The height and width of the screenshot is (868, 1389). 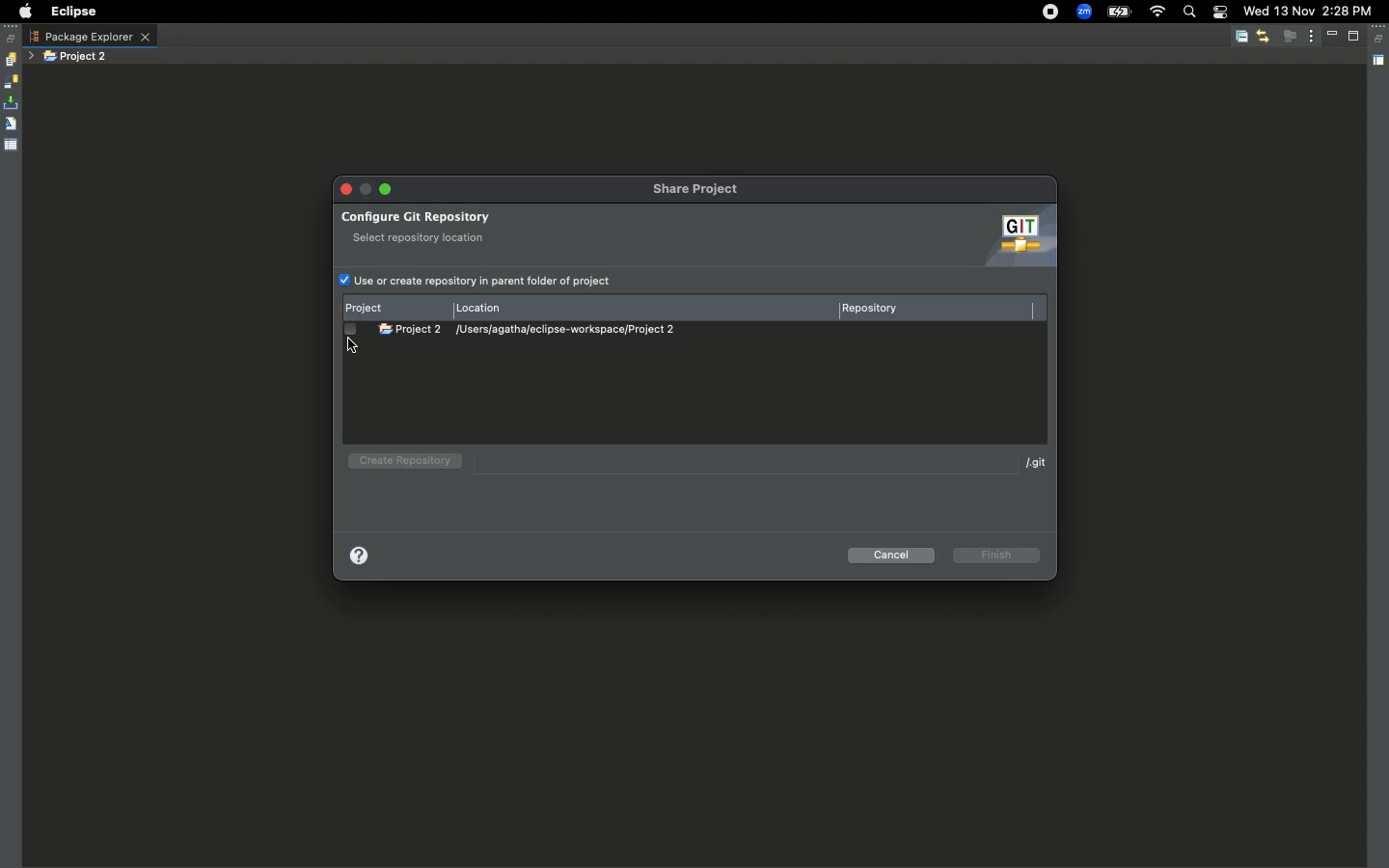 I want to click on View menu, so click(x=1312, y=35).